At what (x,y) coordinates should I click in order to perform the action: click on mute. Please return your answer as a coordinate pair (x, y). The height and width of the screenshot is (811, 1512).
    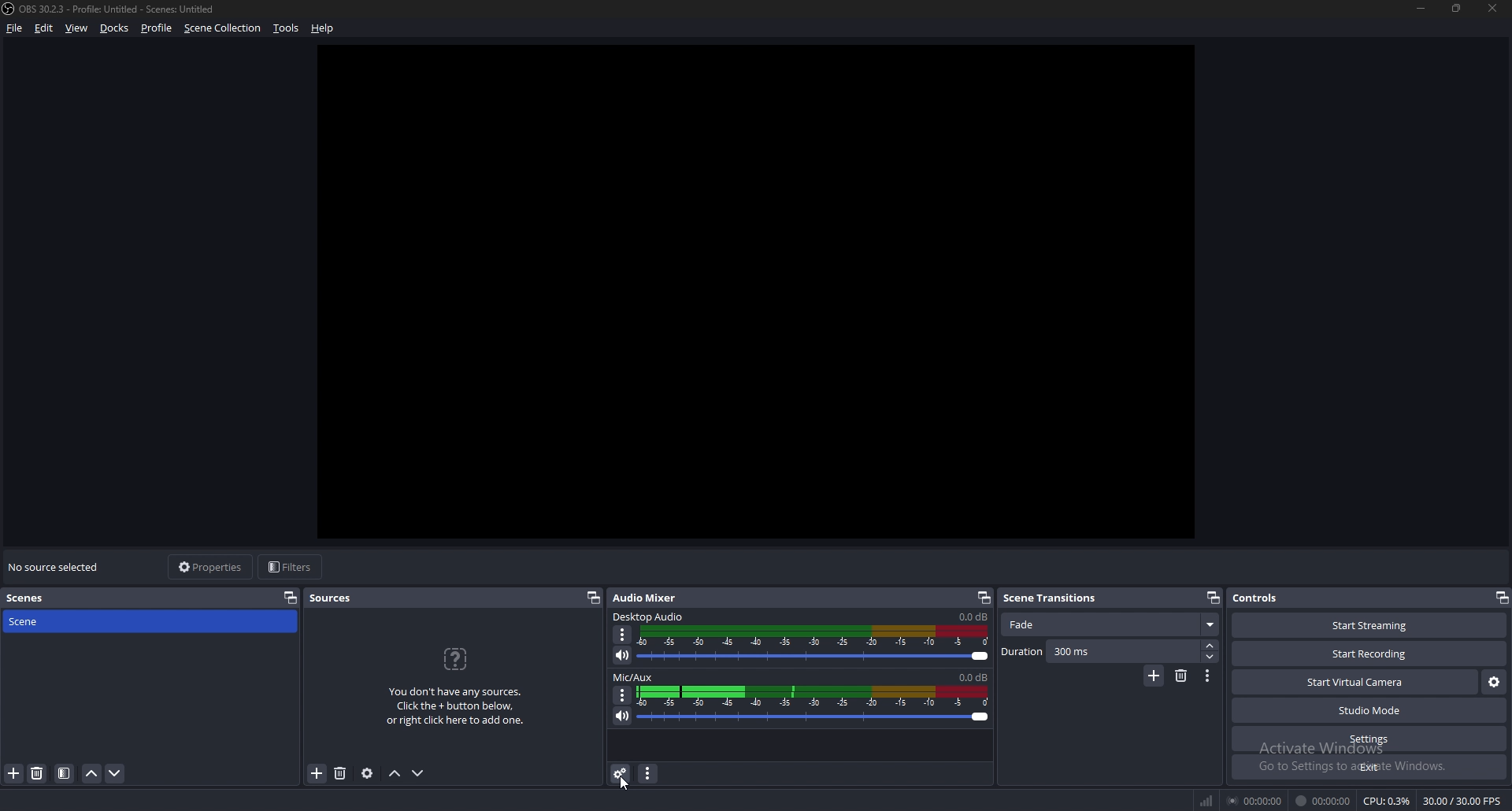
    Looking at the image, I should click on (623, 655).